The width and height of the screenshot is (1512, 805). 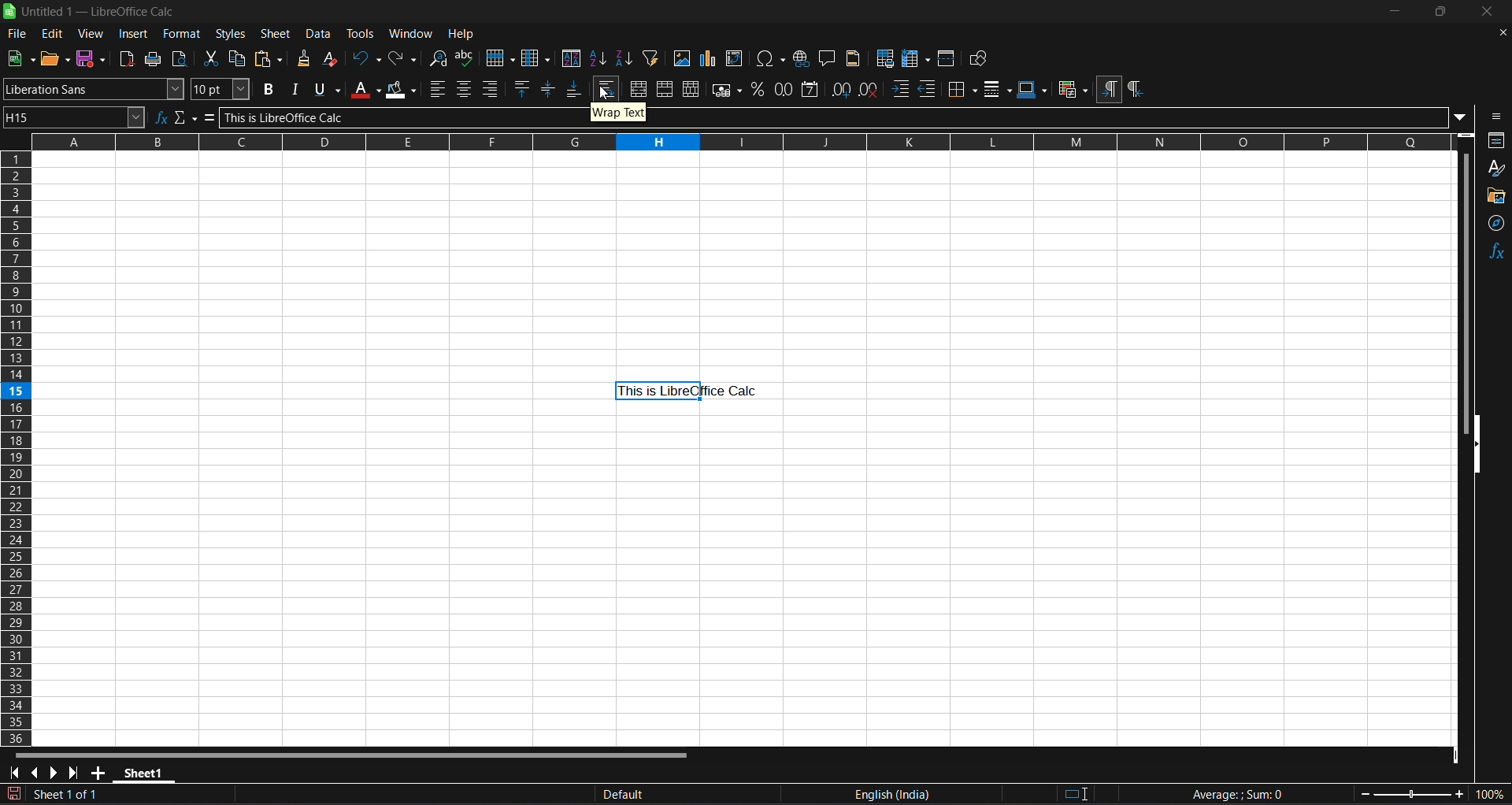 What do you see at coordinates (14, 447) in the screenshot?
I see `columns` at bounding box center [14, 447].